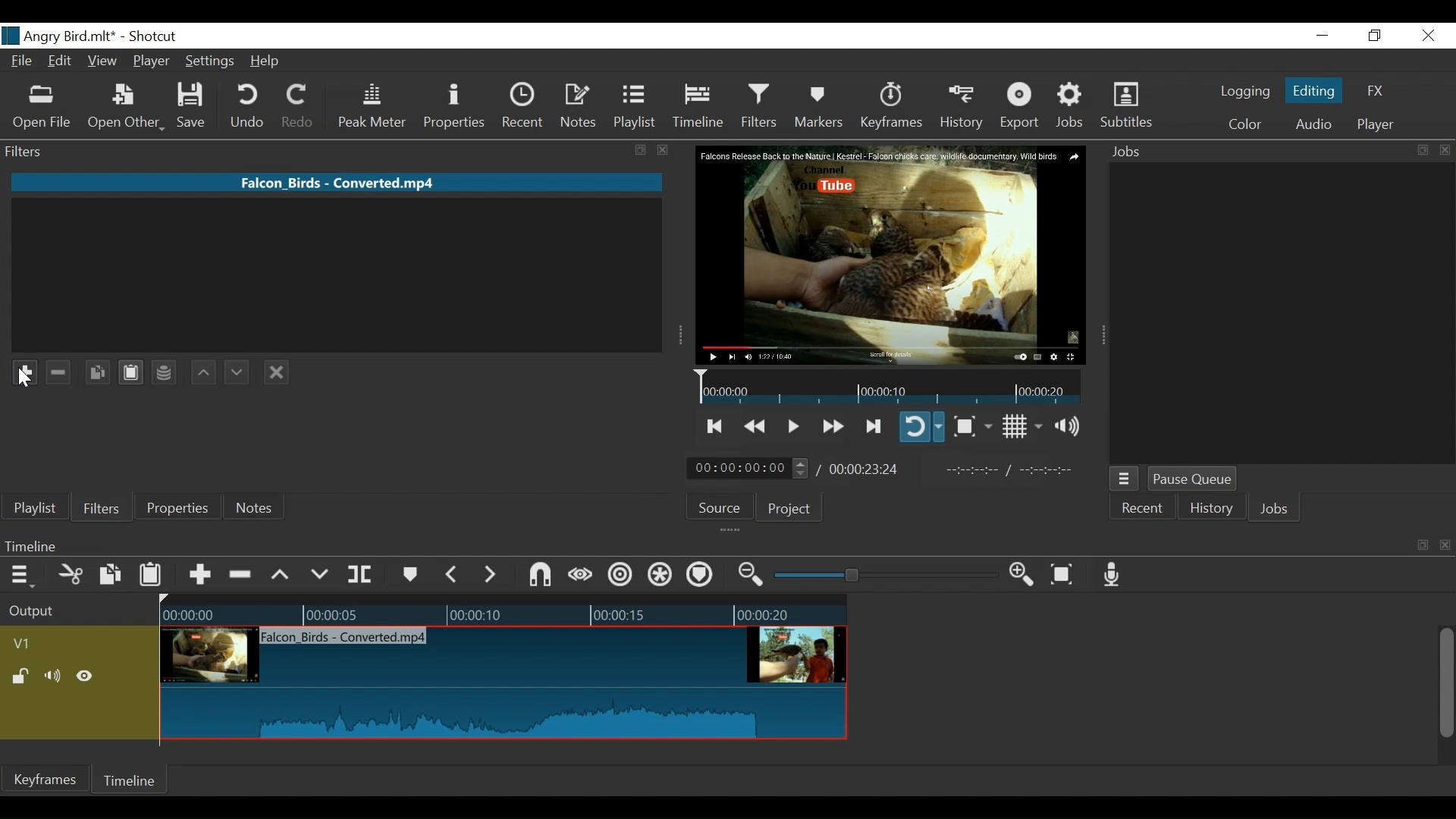 The image size is (1456, 819). Describe the element at coordinates (492, 574) in the screenshot. I see `Next Marker` at that location.